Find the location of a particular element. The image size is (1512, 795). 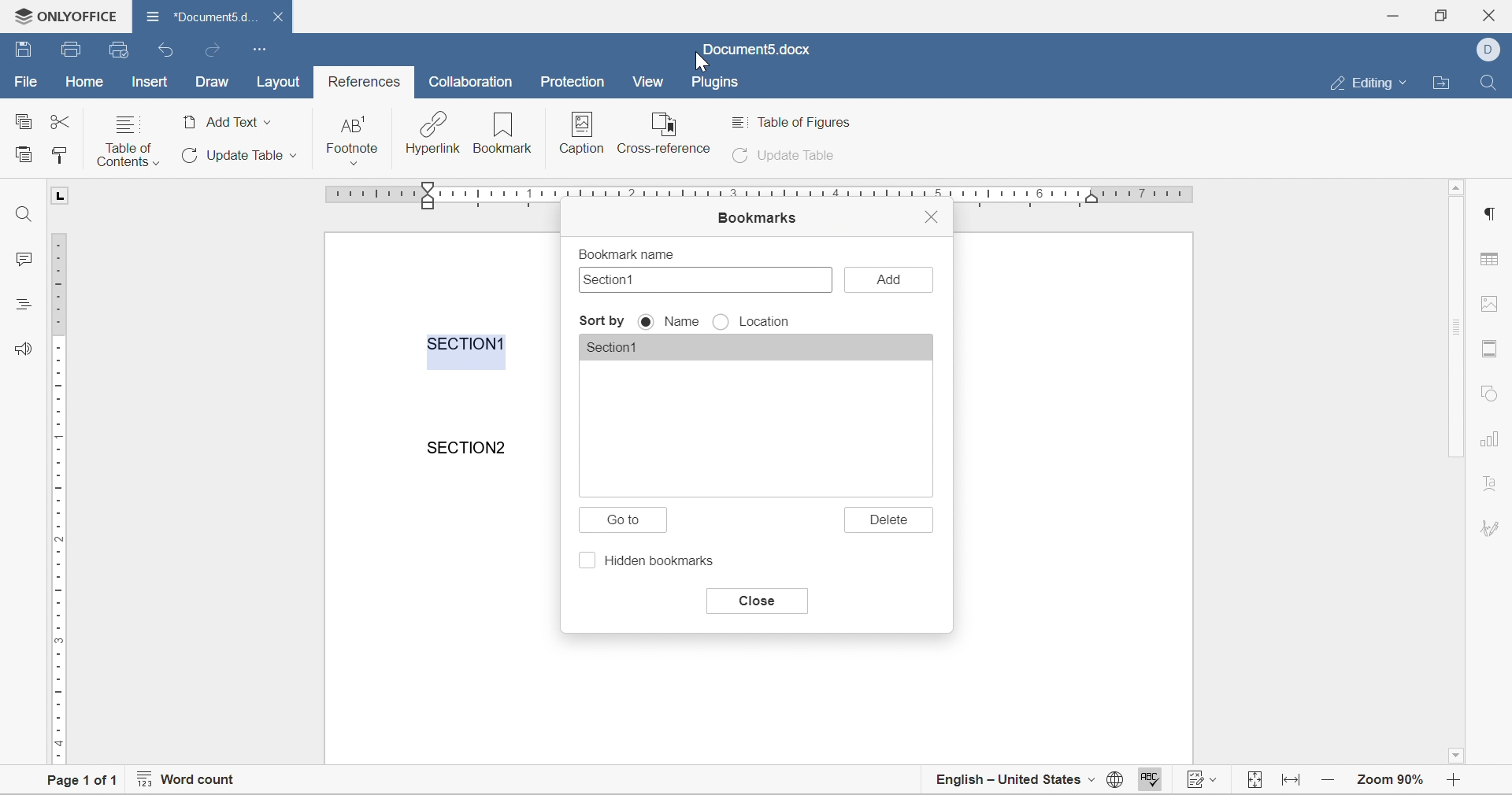

update table is located at coordinates (787, 157).